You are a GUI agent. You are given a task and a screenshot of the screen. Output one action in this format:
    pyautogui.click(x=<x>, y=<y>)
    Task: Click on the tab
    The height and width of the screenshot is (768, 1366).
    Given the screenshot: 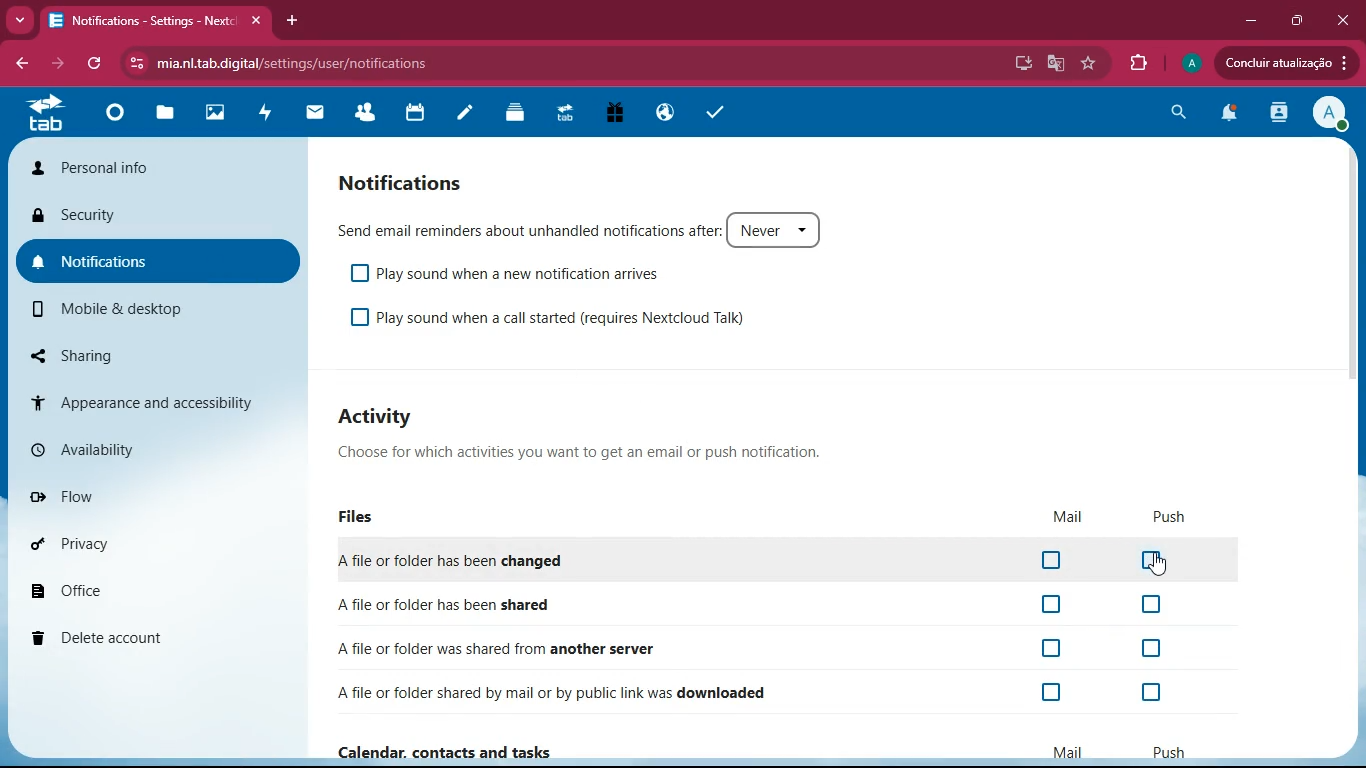 What is the action you would take?
    pyautogui.click(x=45, y=115)
    